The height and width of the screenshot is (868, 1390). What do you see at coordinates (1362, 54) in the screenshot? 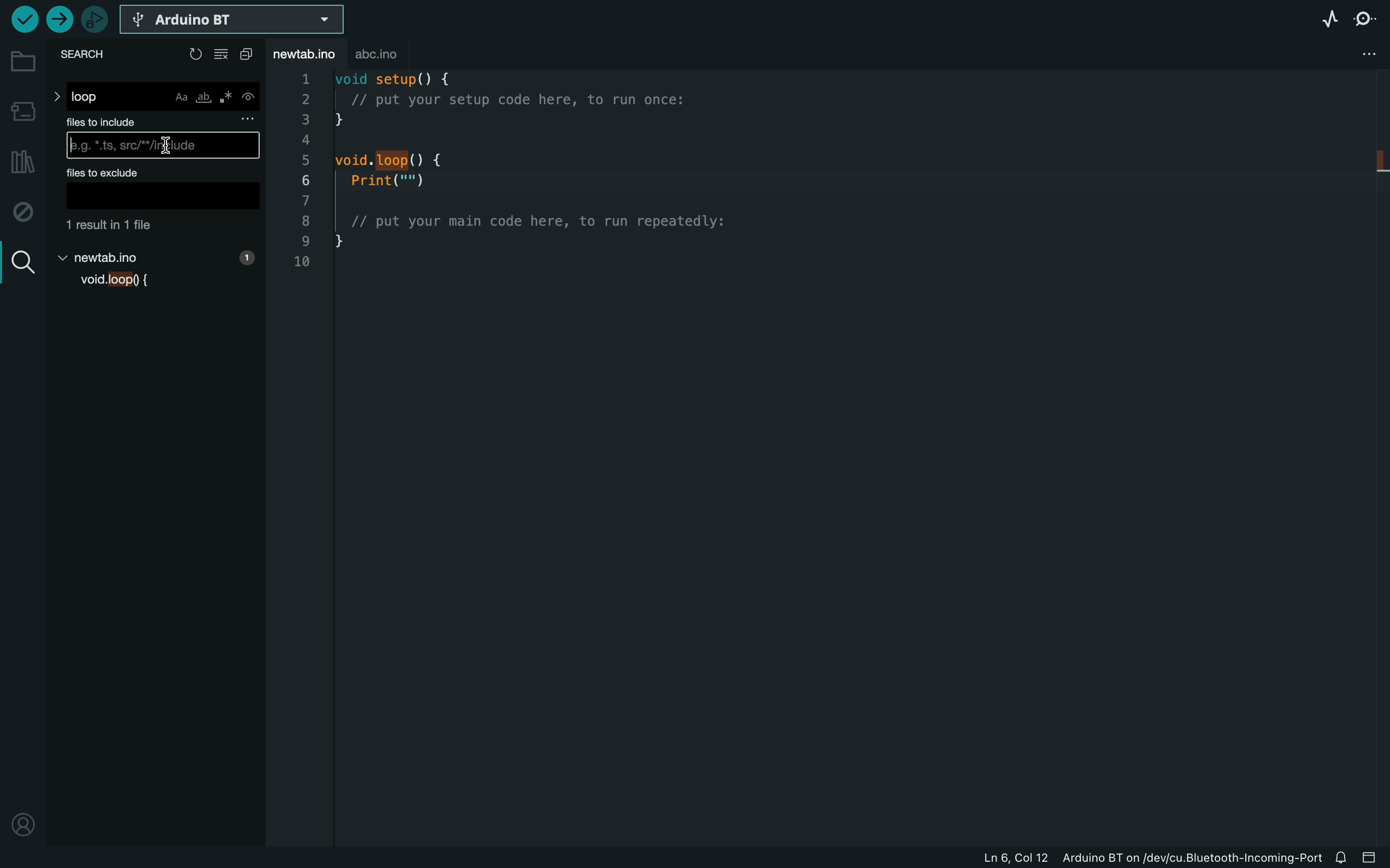
I see `file setting` at bounding box center [1362, 54].